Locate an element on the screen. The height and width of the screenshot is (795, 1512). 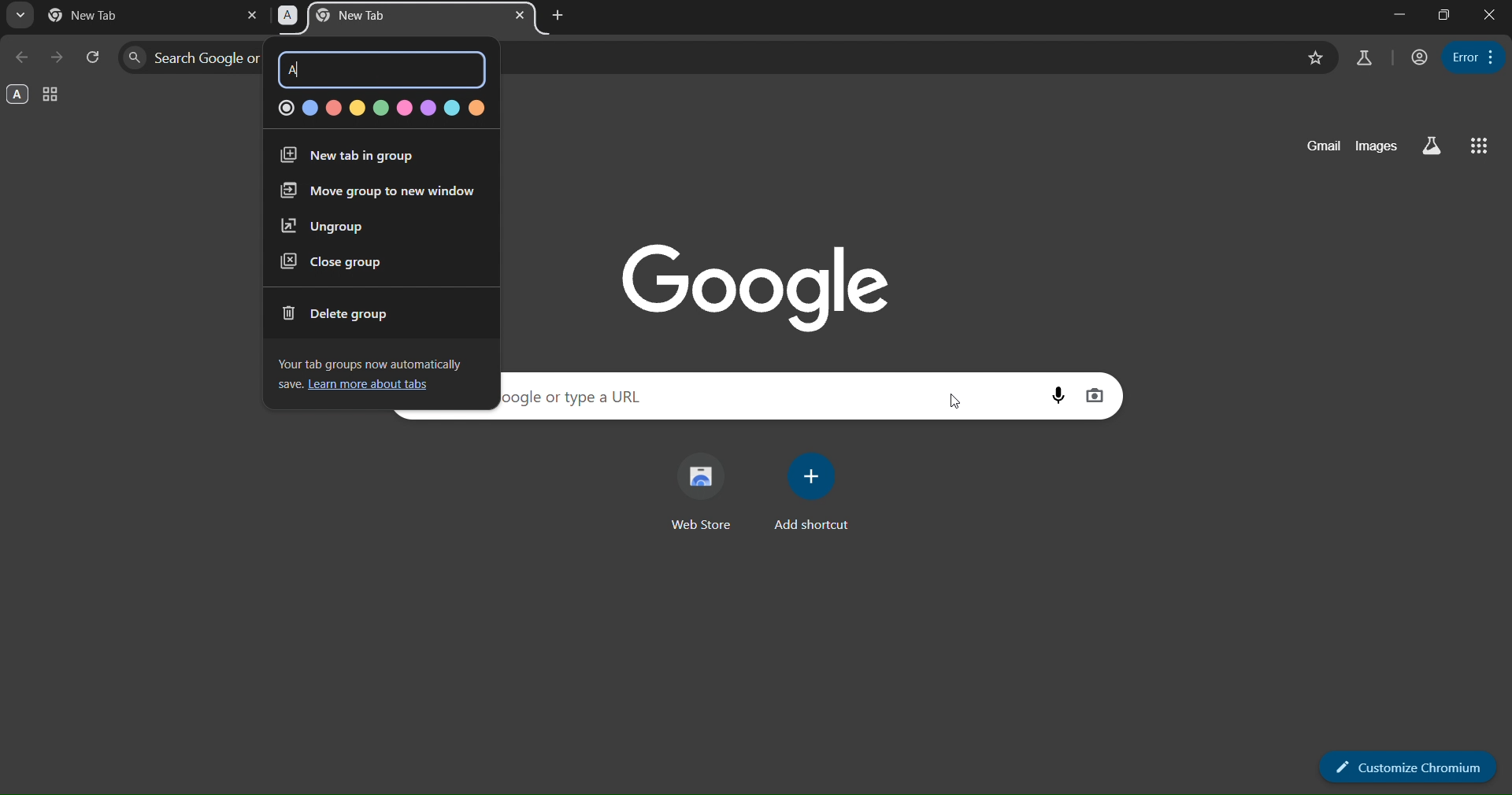
search tabs is located at coordinates (24, 17).